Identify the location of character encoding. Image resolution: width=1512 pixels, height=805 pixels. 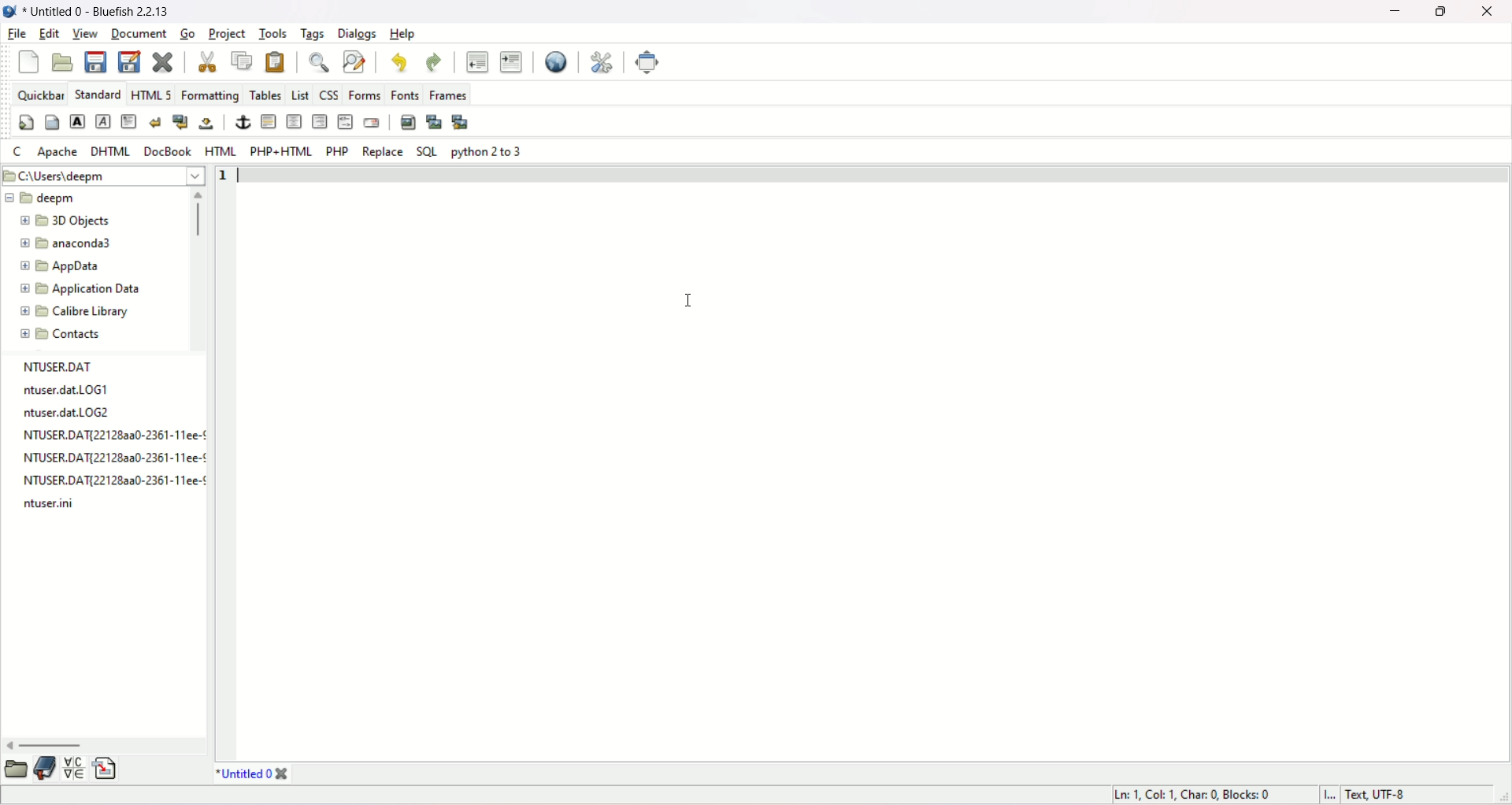
(1381, 796).